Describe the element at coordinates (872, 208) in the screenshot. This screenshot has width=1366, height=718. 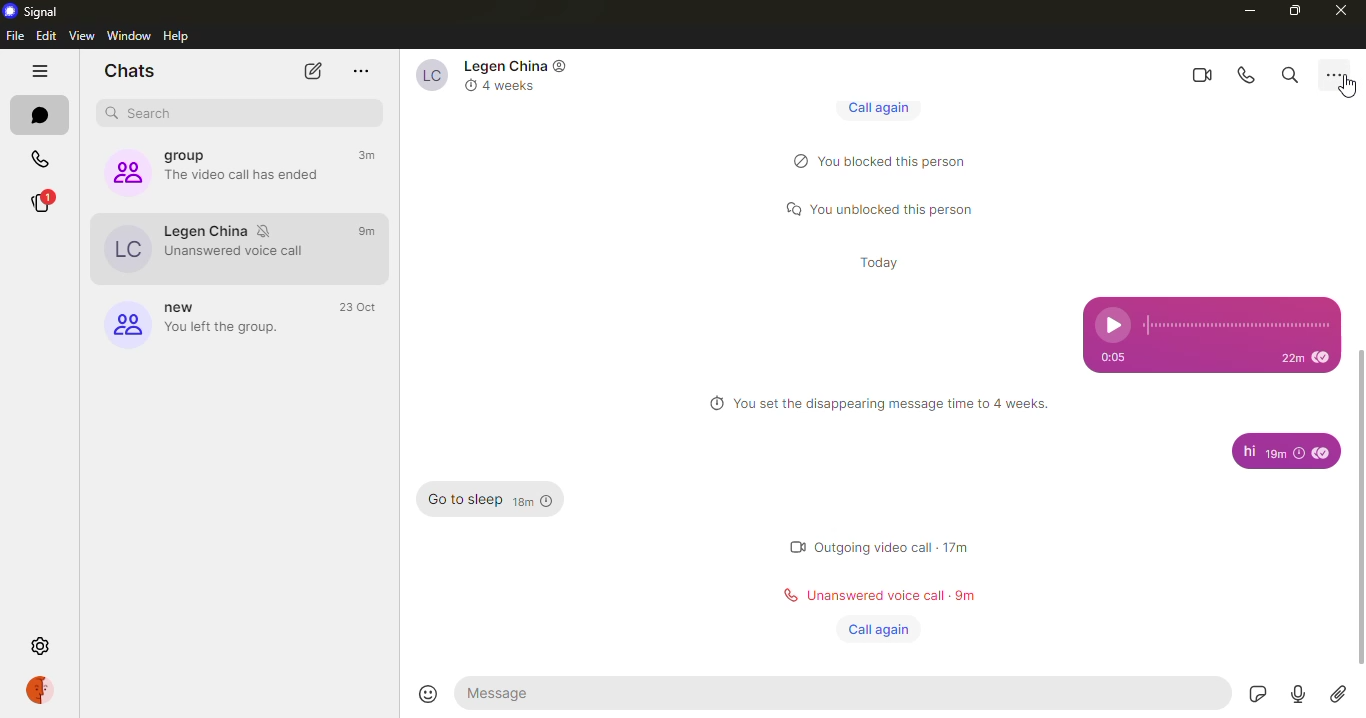
I see `status message` at that location.